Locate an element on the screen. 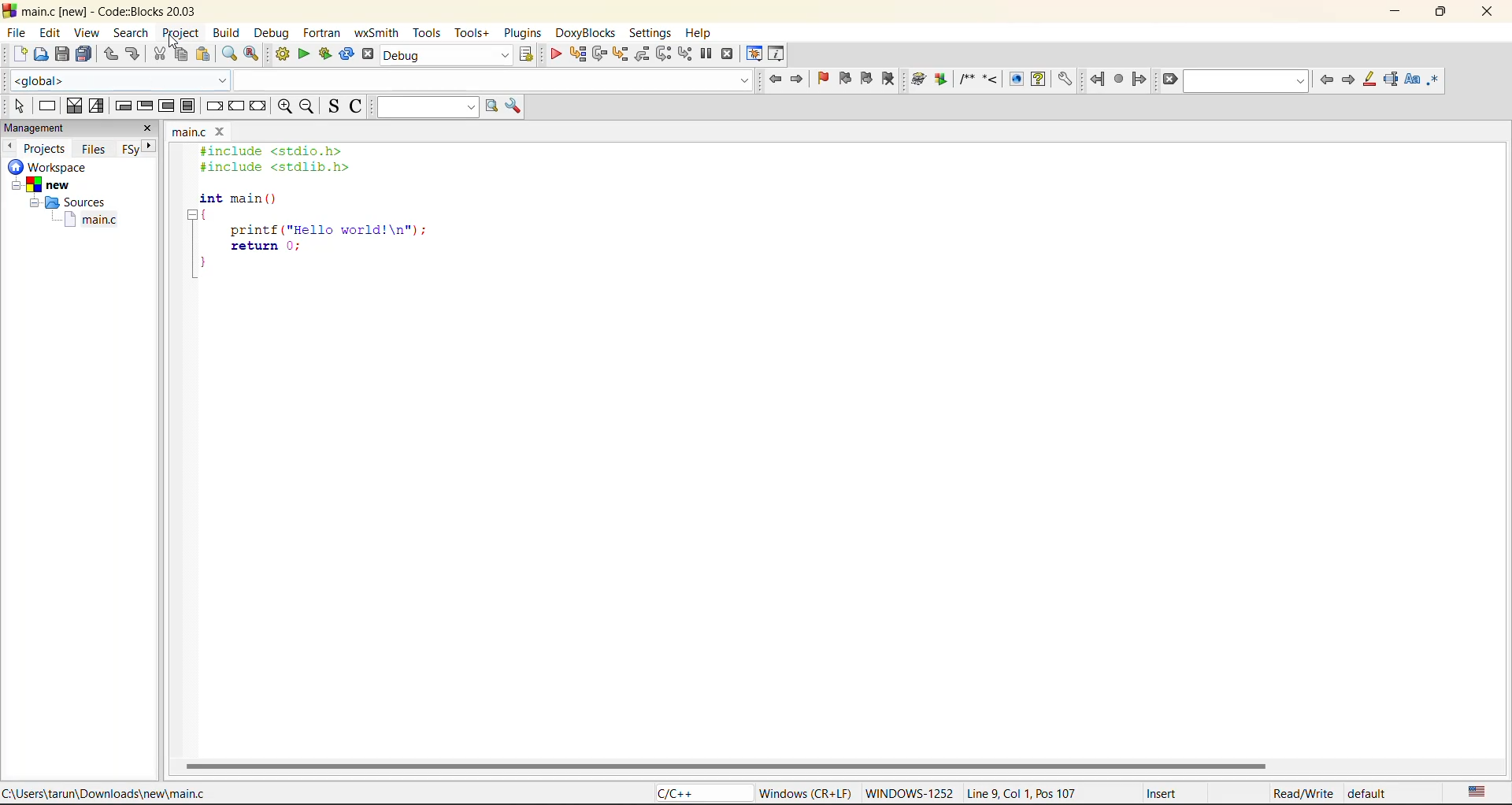 The height and width of the screenshot is (805, 1512). project is located at coordinates (182, 31).